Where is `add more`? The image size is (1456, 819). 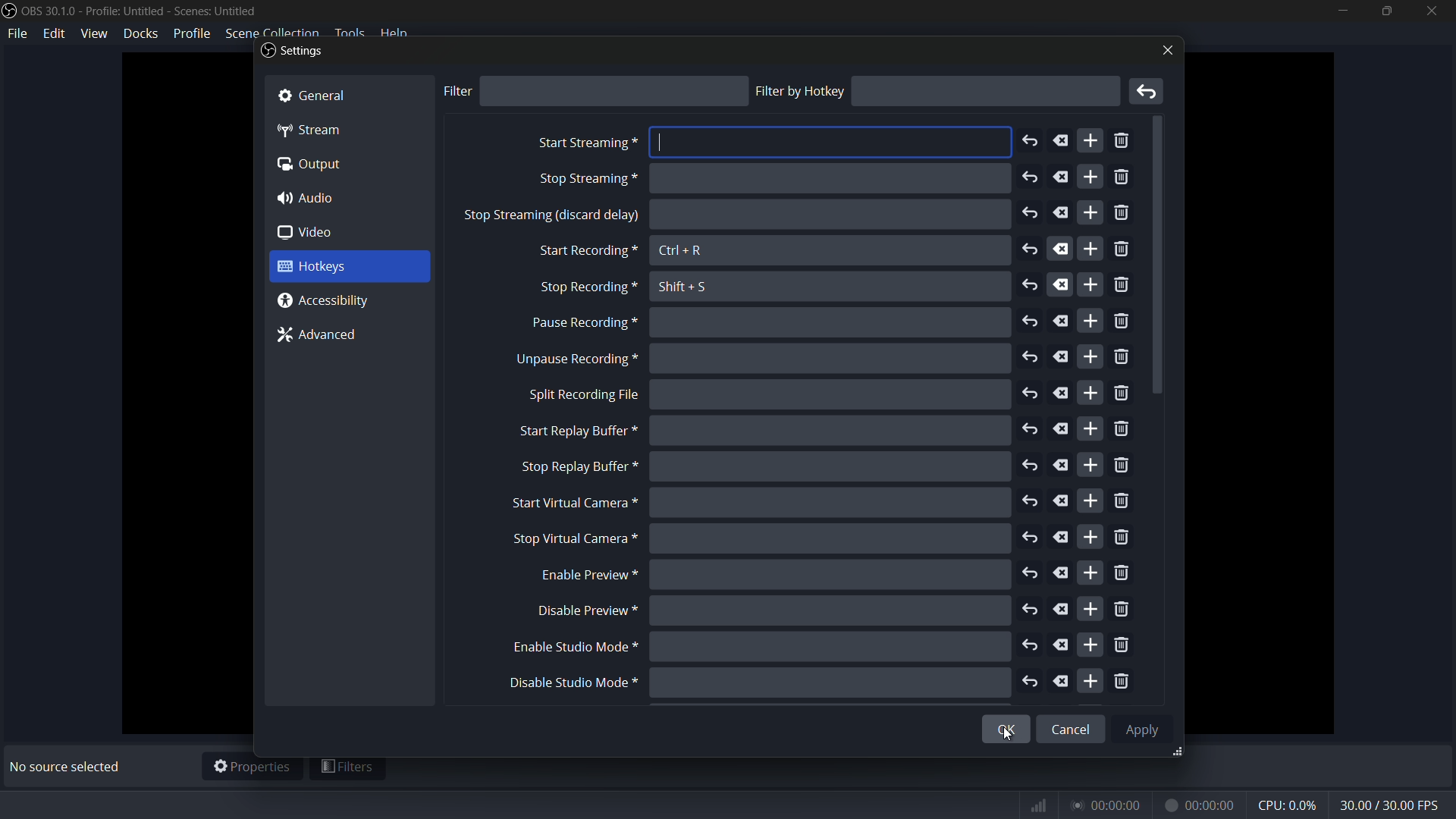
add more is located at coordinates (1093, 500).